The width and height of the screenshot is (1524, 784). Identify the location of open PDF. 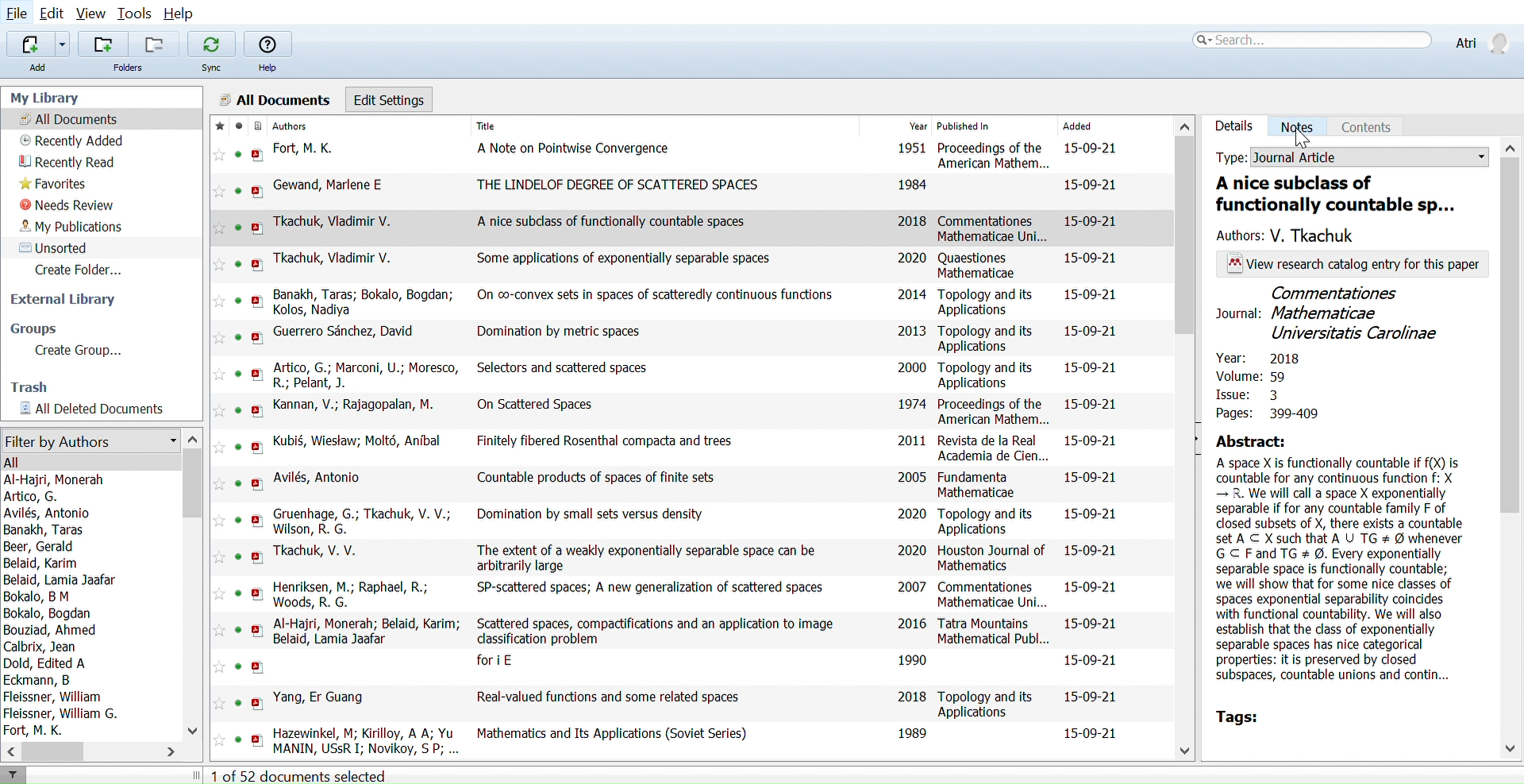
(256, 229).